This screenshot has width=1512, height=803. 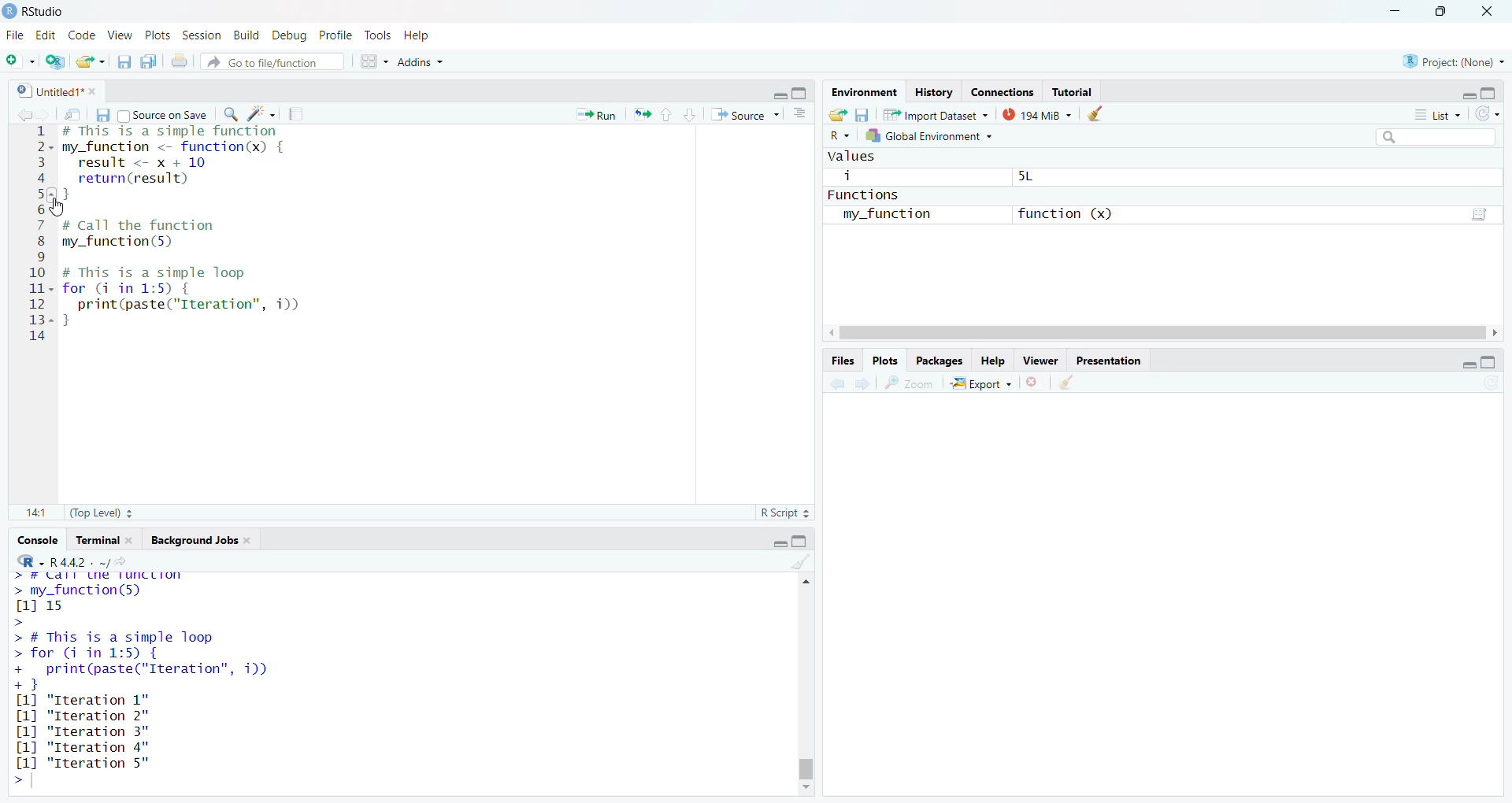 What do you see at coordinates (99, 515) in the screenshot?
I see `(Top Level)` at bounding box center [99, 515].